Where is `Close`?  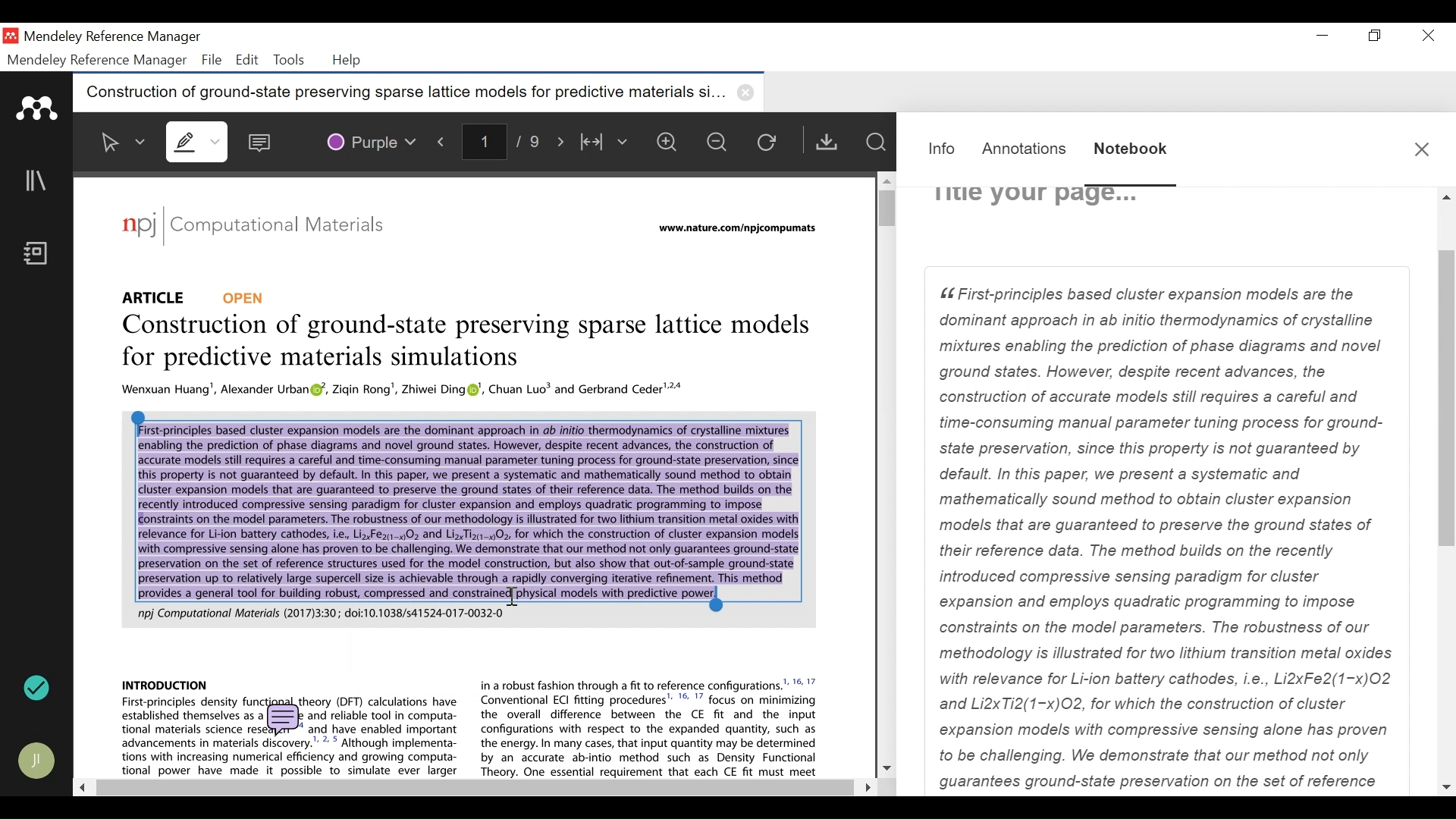
Close is located at coordinates (1425, 36).